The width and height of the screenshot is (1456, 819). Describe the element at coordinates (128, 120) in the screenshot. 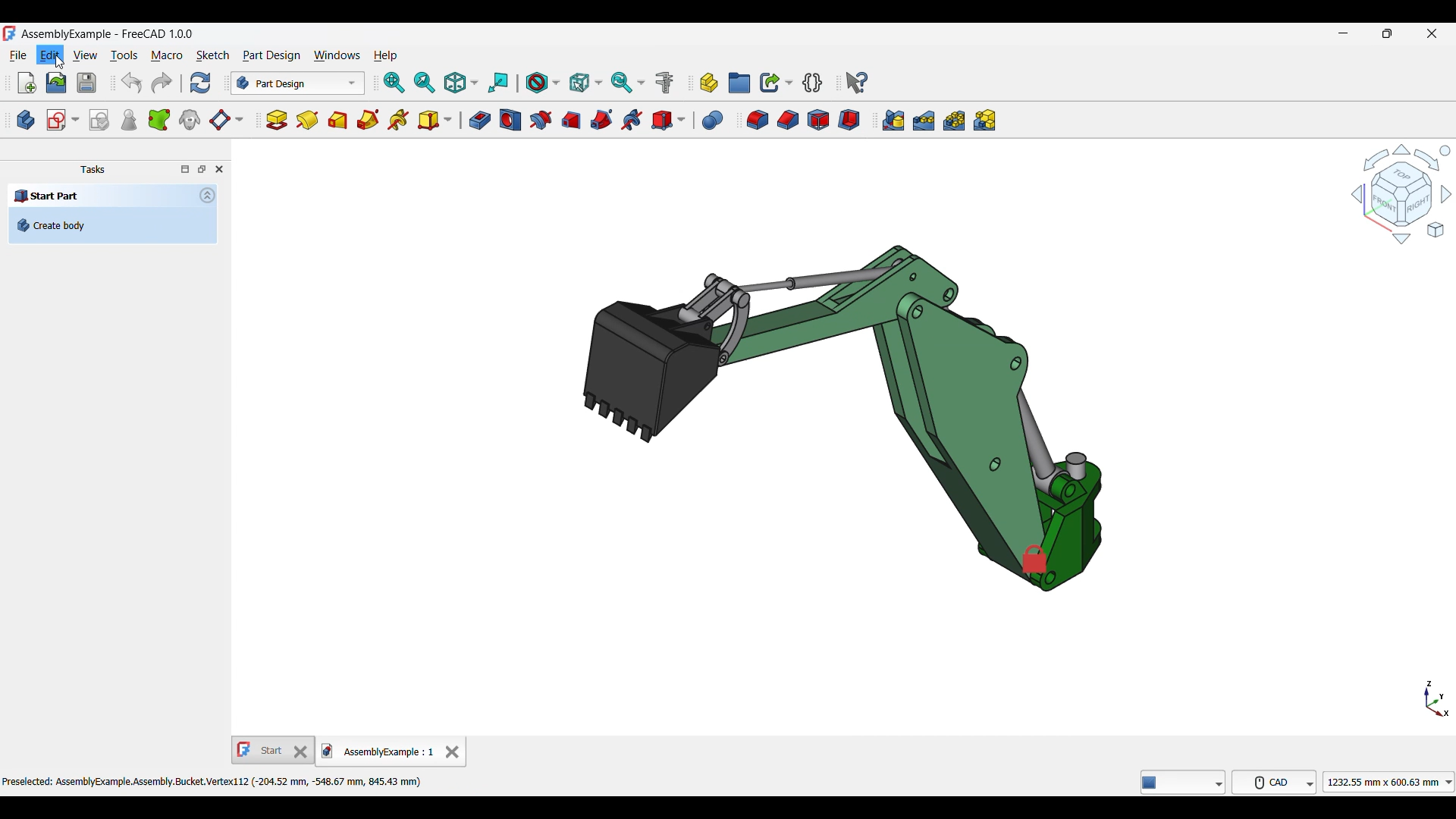

I see `Check geometry` at that location.